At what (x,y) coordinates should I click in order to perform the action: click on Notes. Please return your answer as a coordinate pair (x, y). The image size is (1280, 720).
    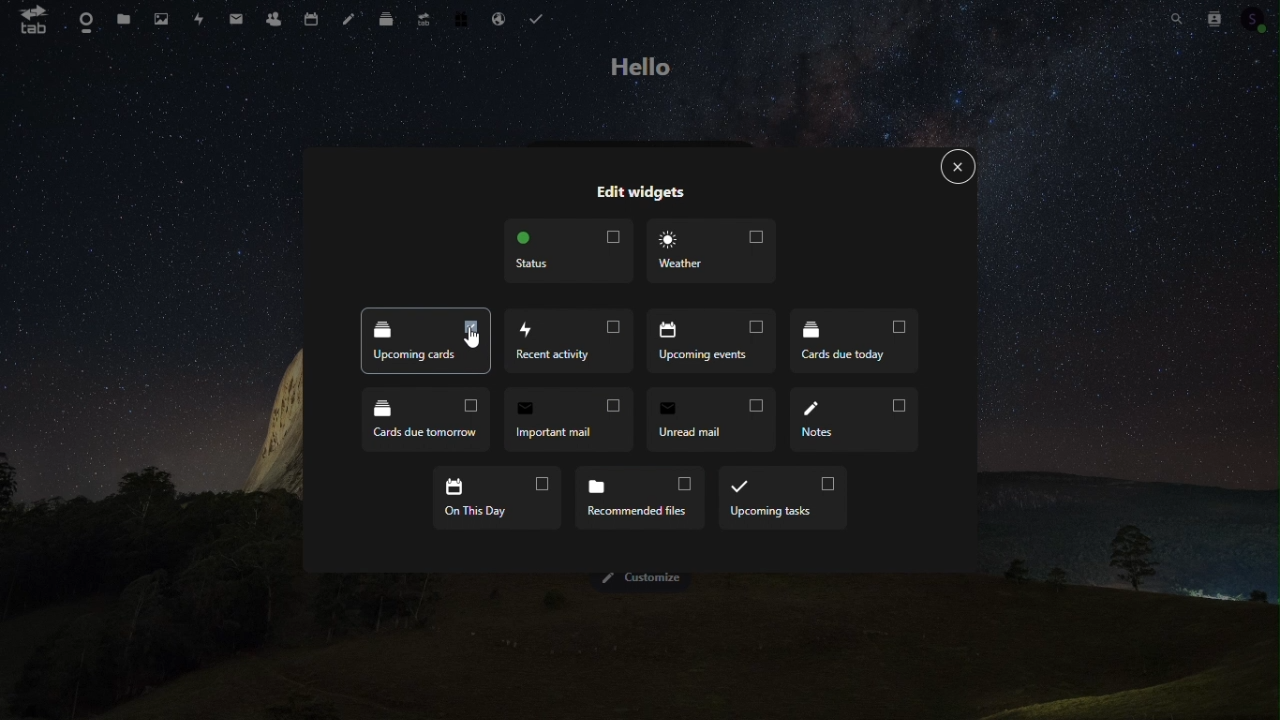
    Looking at the image, I should click on (345, 21).